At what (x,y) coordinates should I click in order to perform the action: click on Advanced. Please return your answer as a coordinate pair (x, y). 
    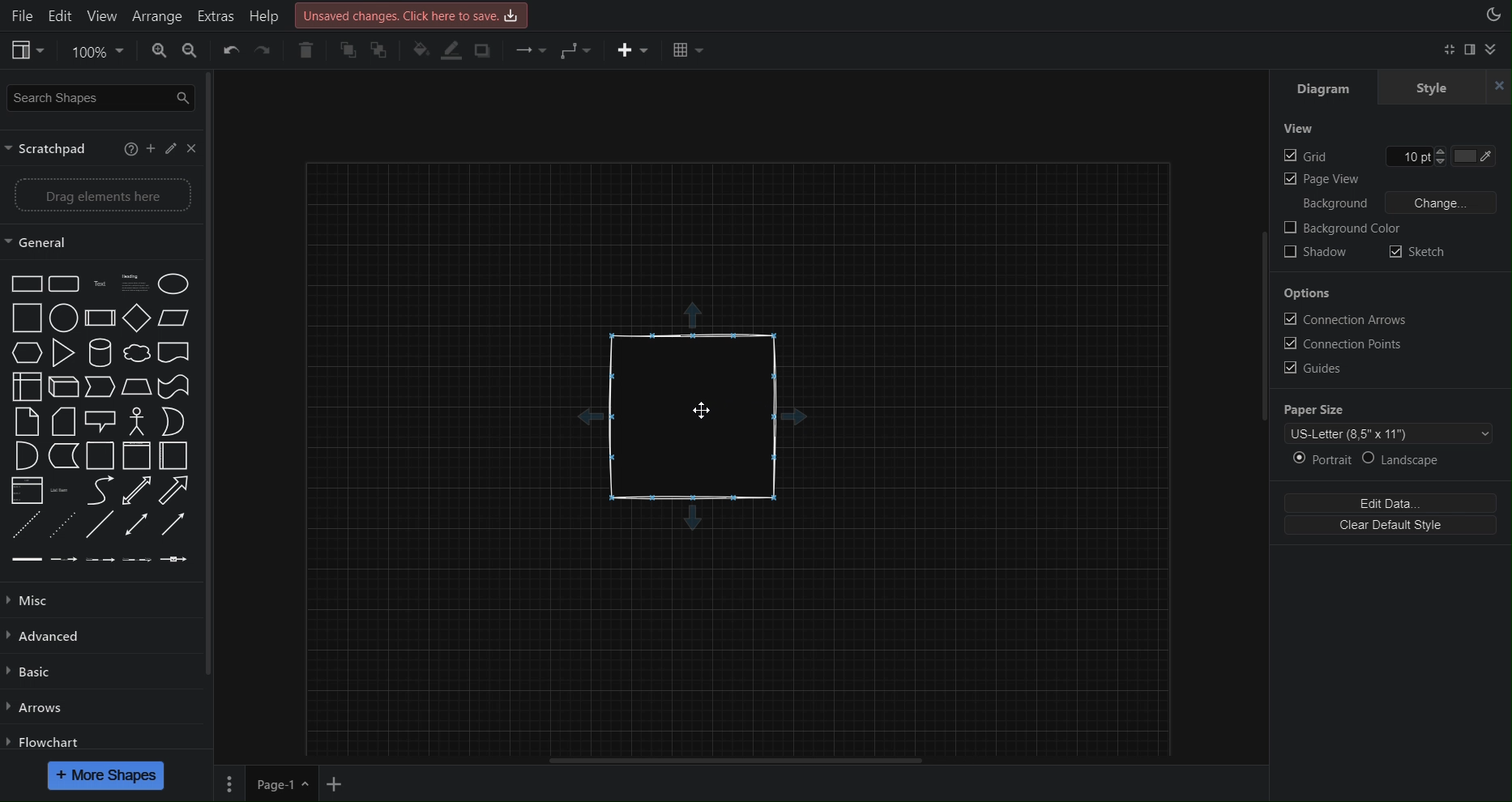
    Looking at the image, I should click on (46, 638).